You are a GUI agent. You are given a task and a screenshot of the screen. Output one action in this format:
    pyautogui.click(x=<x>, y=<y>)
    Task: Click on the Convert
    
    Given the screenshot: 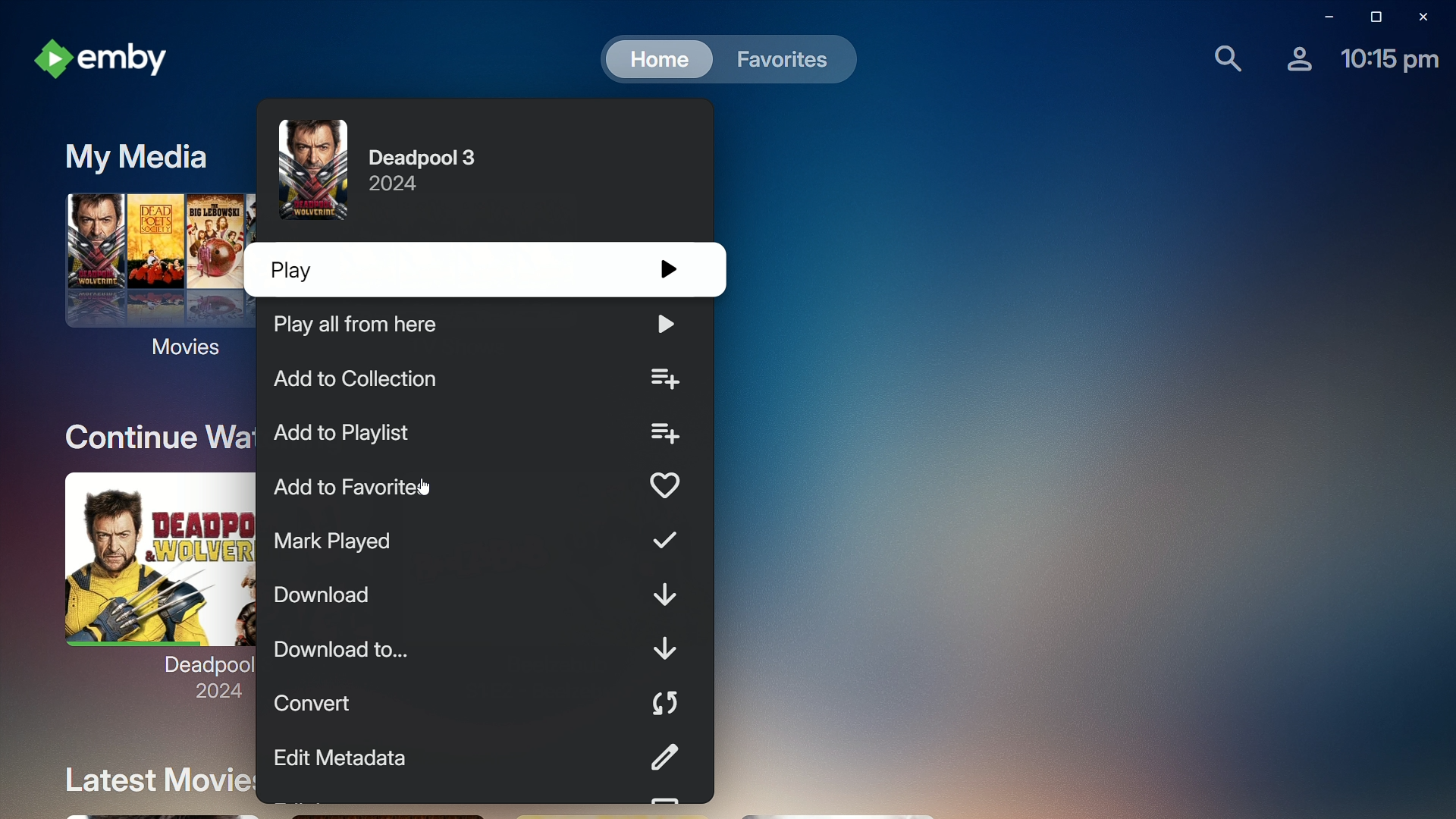 What is the action you would take?
    pyautogui.click(x=481, y=709)
    